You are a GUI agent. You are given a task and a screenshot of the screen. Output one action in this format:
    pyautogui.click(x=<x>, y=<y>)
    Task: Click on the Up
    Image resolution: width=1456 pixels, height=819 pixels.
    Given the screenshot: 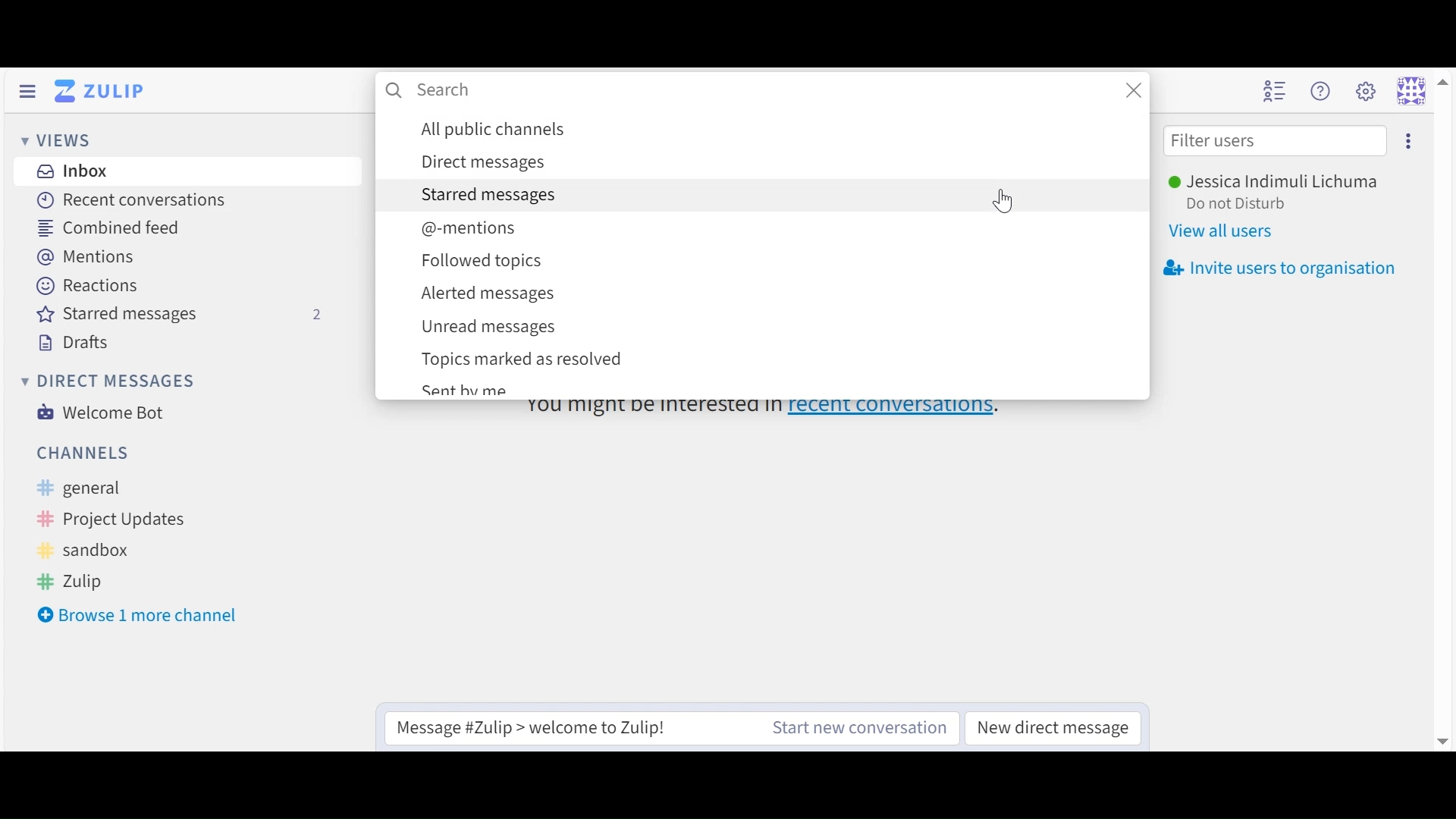 What is the action you would take?
    pyautogui.click(x=1441, y=89)
    